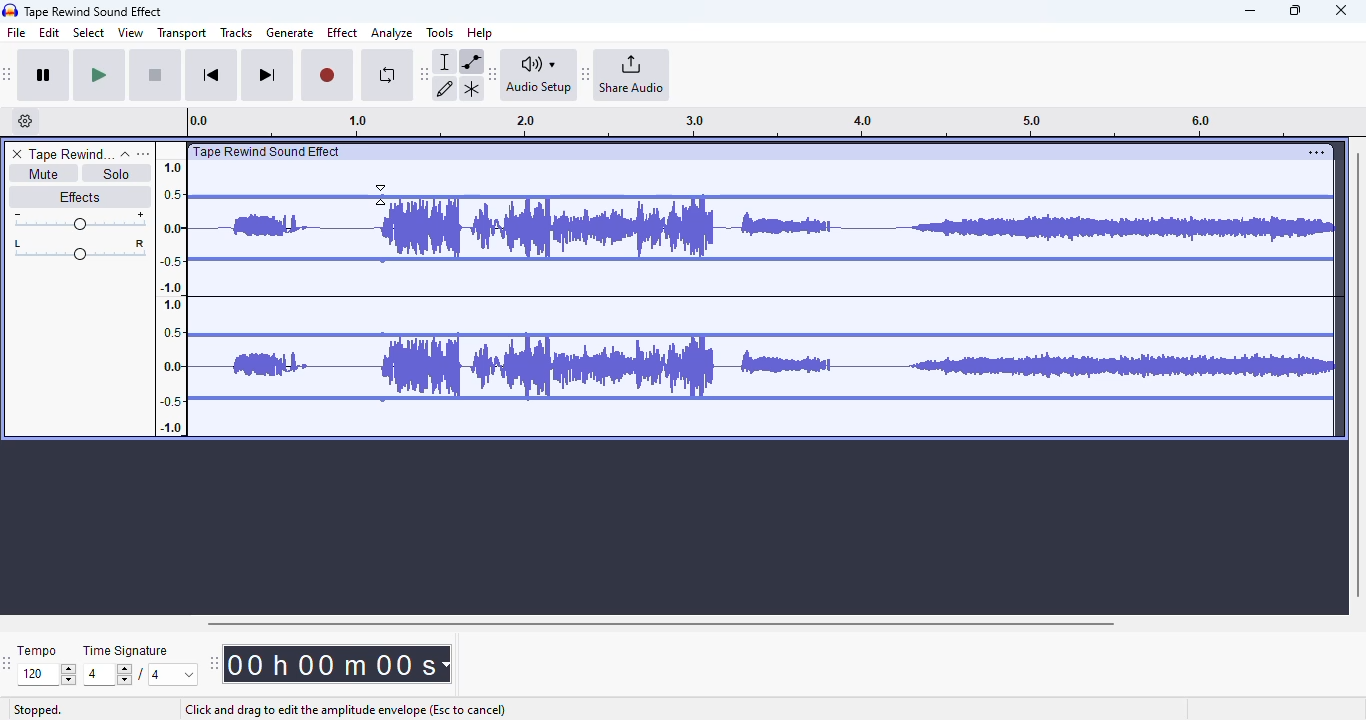  Describe the element at coordinates (539, 74) in the screenshot. I see `audio setup` at that location.